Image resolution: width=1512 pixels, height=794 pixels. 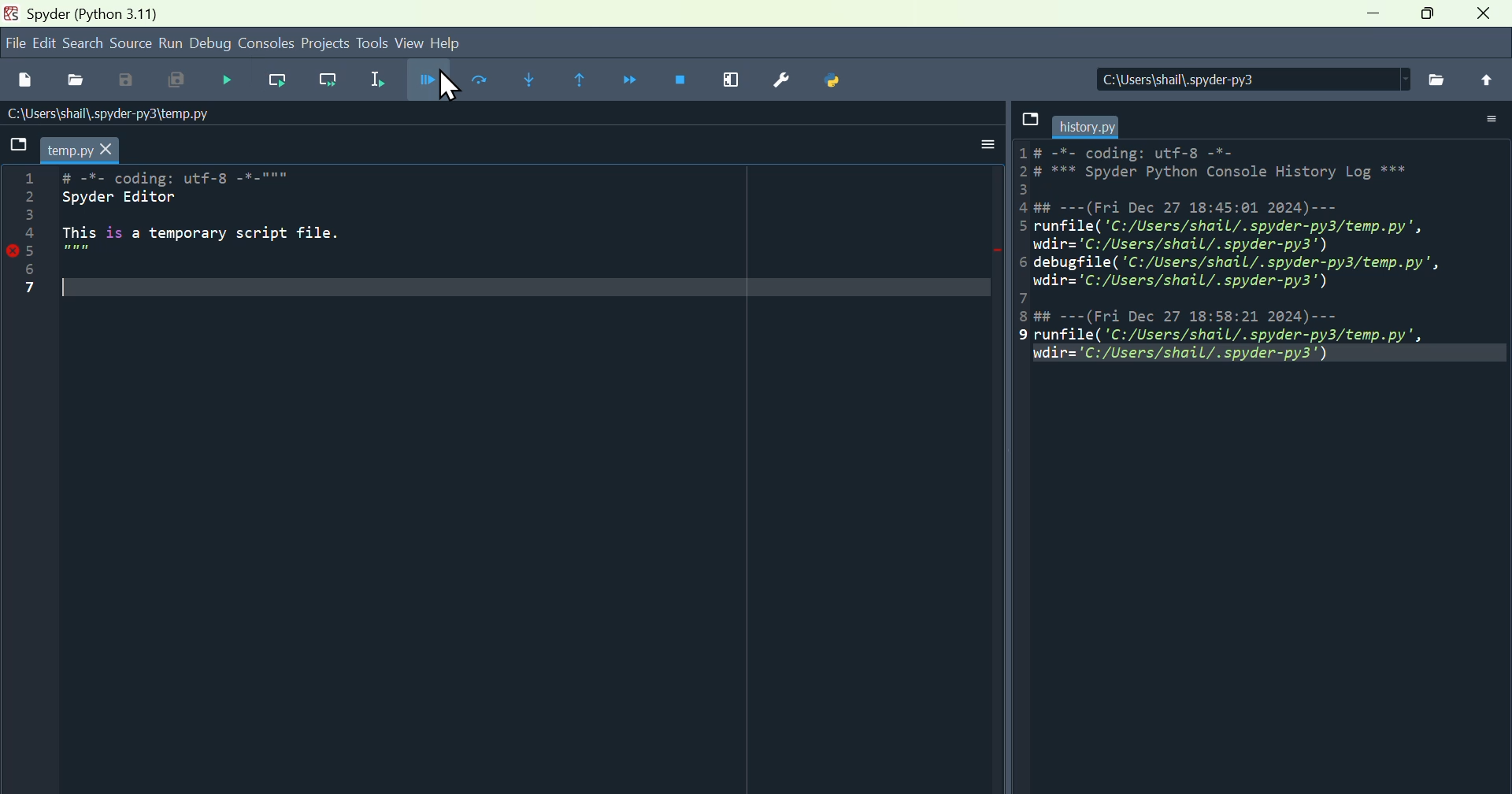 I want to click on search, so click(x=81, y=44).